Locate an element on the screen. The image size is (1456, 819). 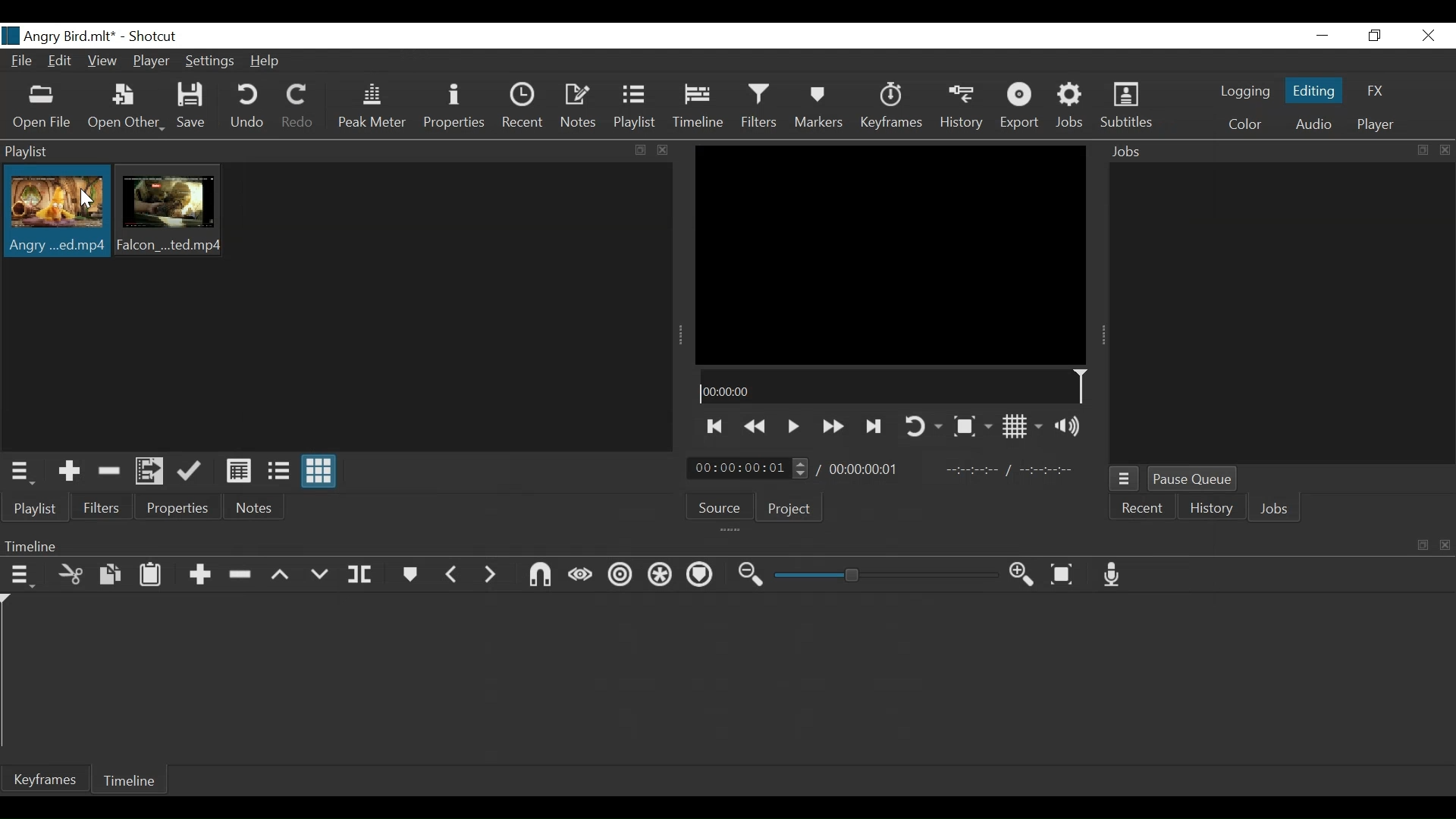
Timeline is located at coordinates (893, 386).